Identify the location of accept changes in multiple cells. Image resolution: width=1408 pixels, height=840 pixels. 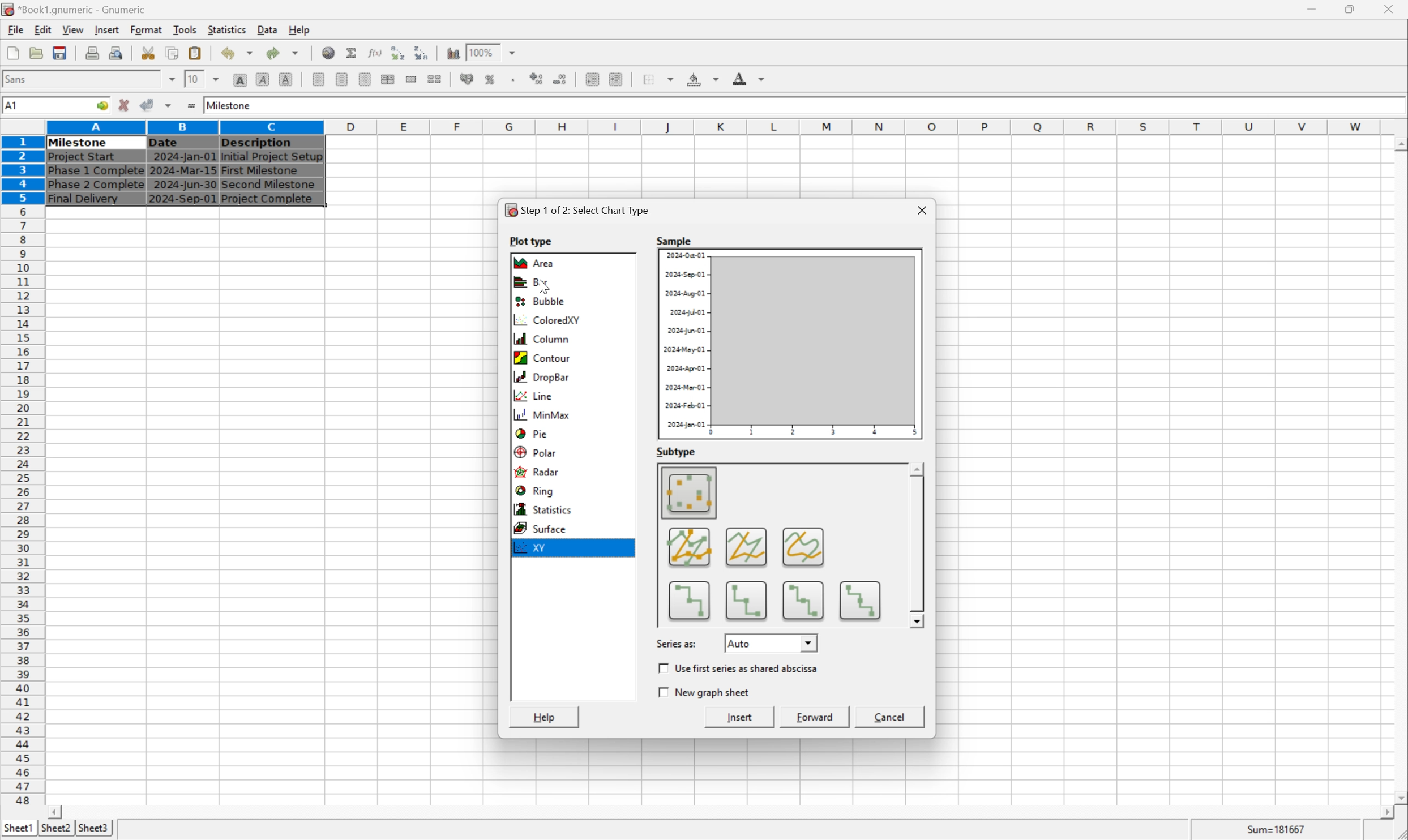
(170, 108).